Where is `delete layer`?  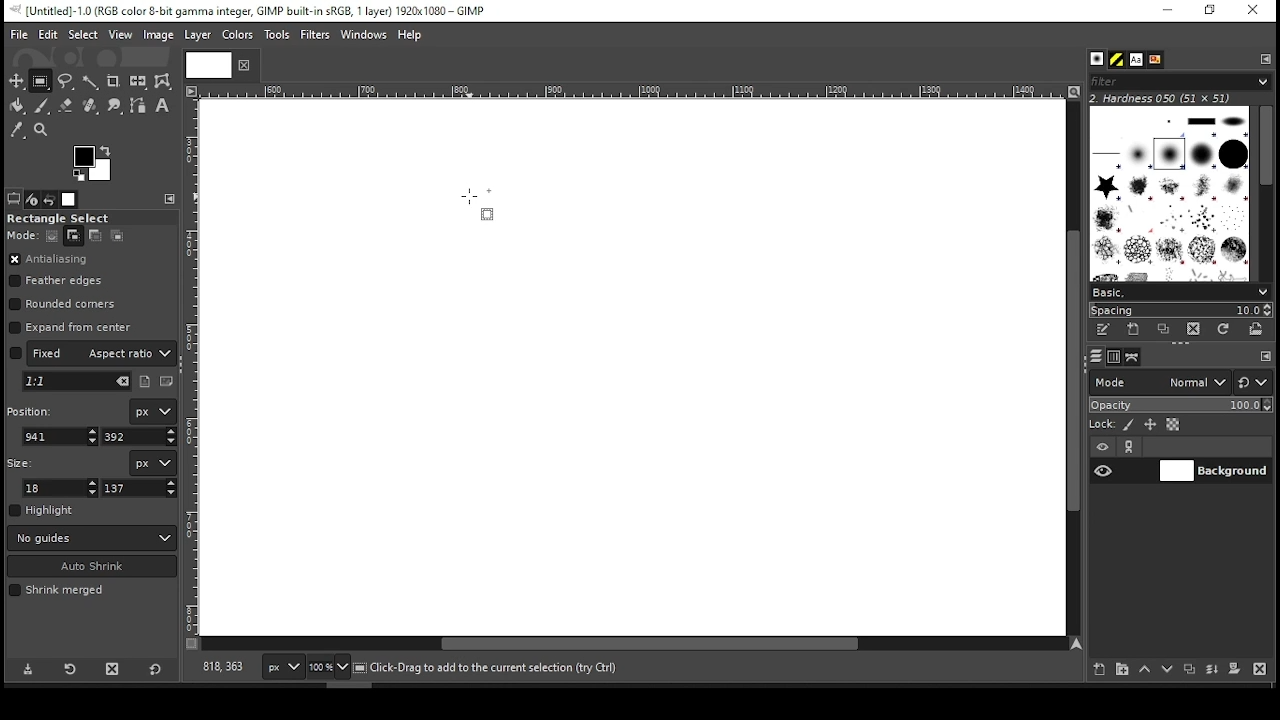
delete layer is located at coordinates (1259, 669).